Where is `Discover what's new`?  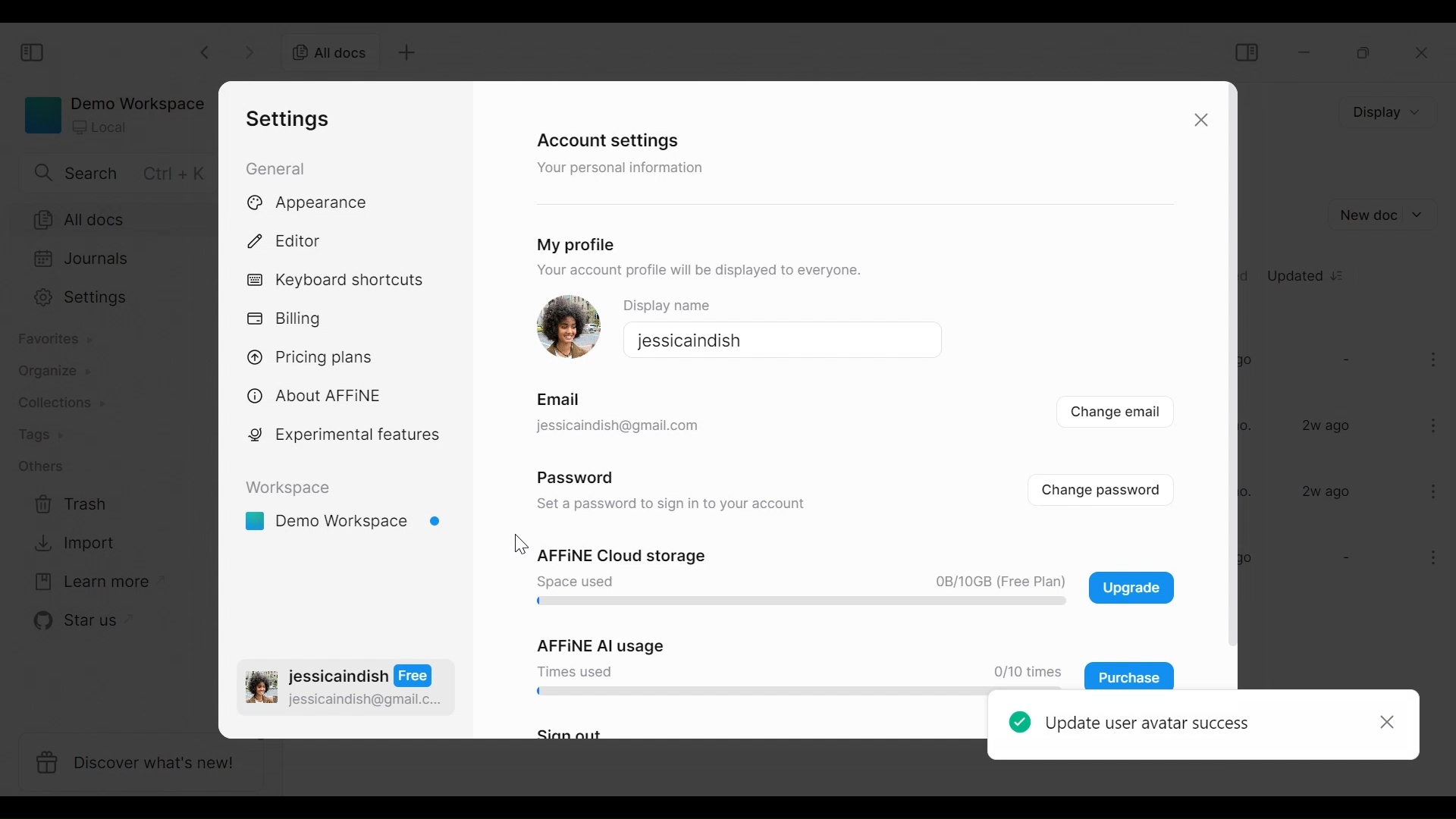
Discover what's new is located at coordinates (140, 764).